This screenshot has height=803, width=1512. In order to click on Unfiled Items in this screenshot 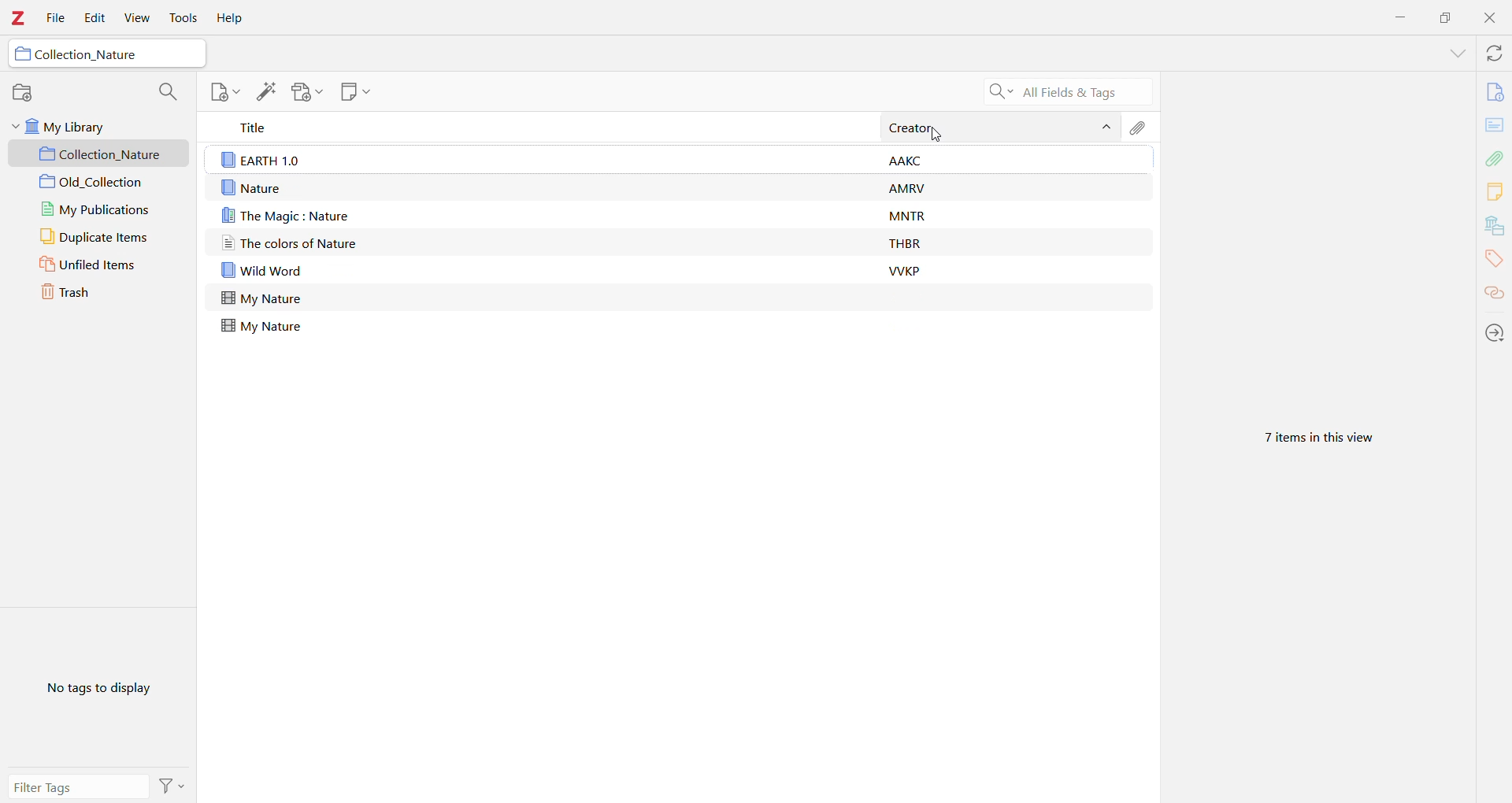, I will do `click(103, 265)`.